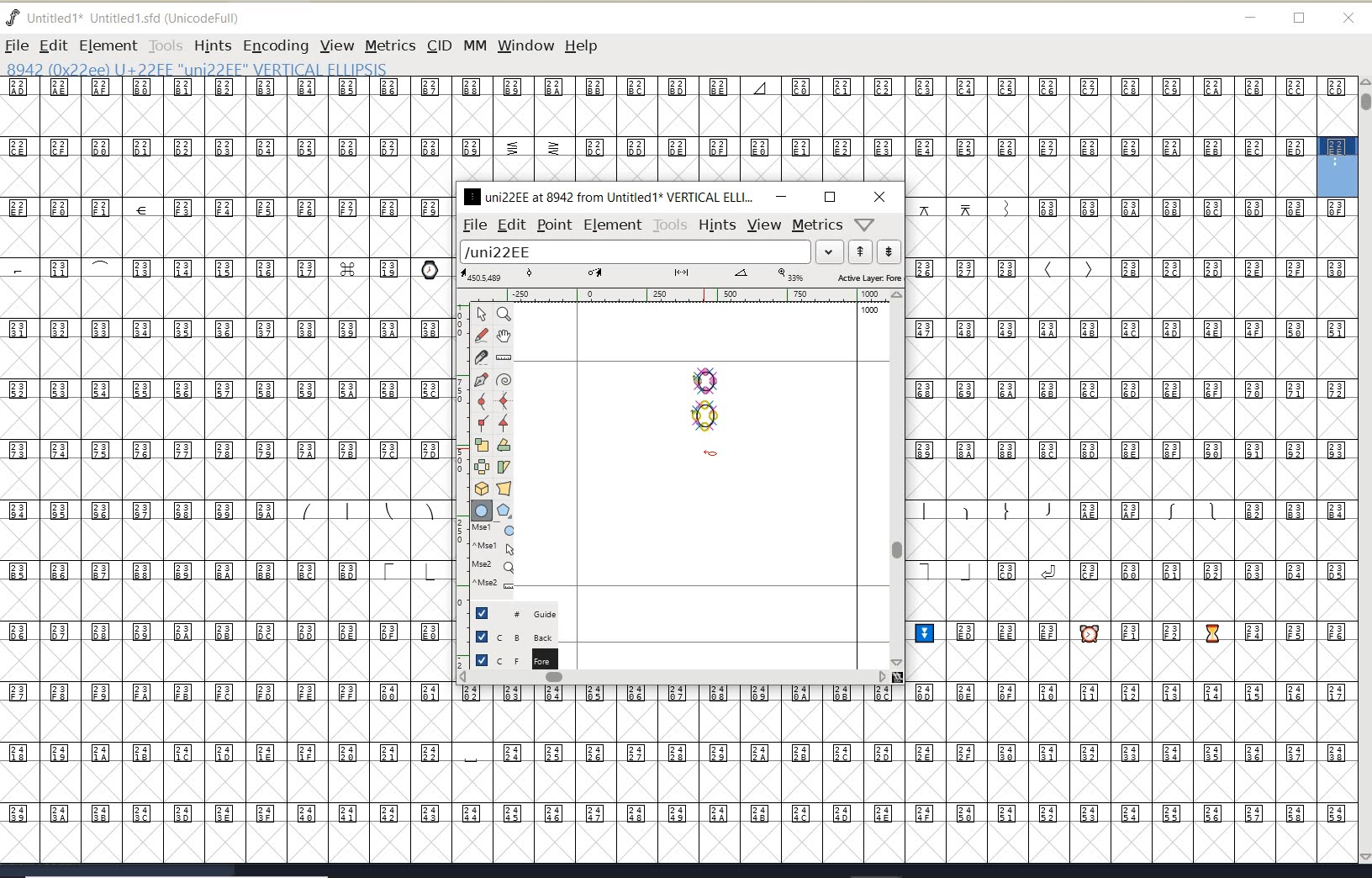  I want to click on polygon or star, so click(504, 512).